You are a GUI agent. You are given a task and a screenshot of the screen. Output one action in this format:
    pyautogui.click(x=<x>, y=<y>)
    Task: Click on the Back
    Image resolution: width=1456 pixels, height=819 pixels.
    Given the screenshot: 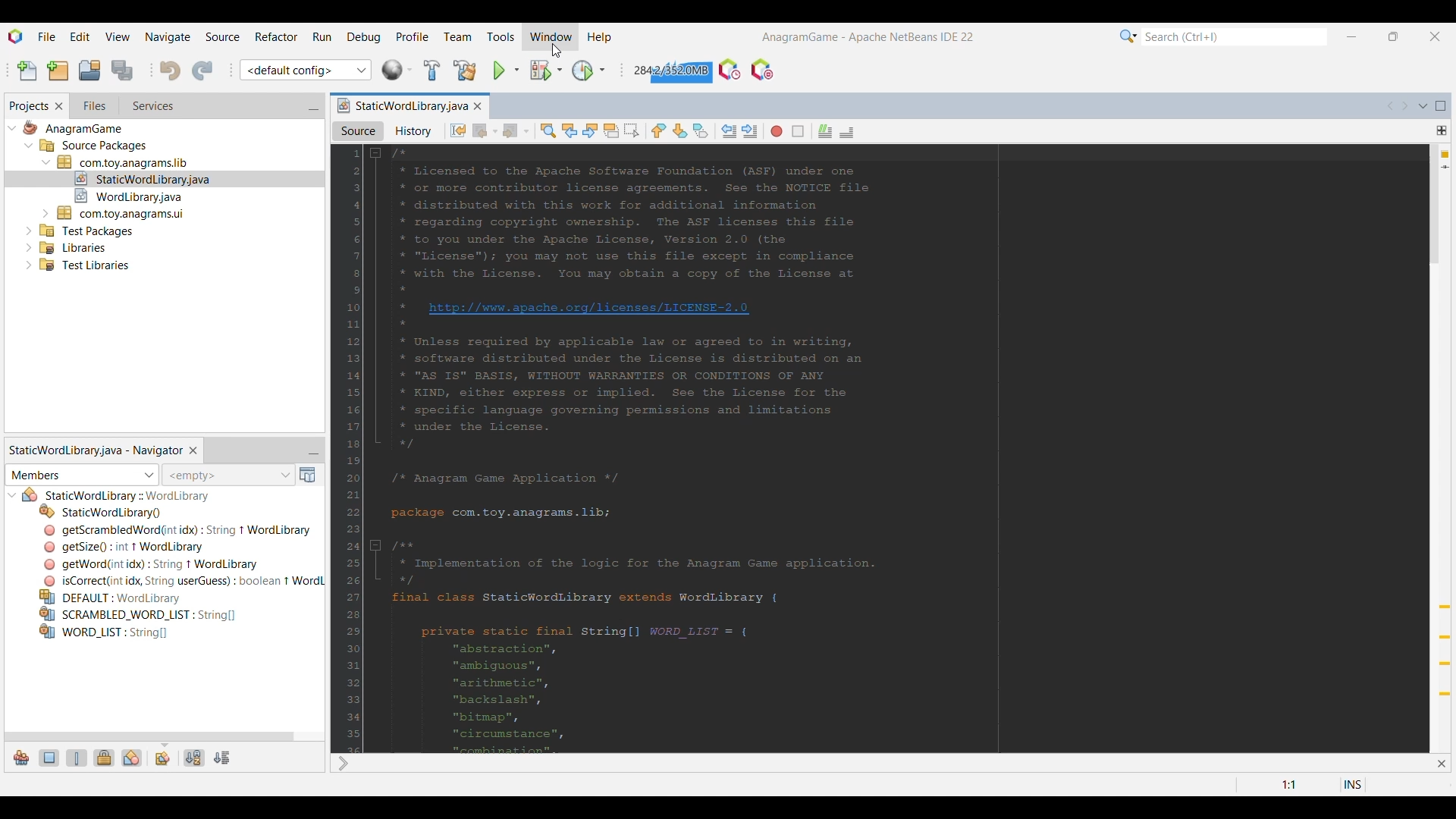 What is the action you would take?
    pyautogui.click(x=480, y=130)
    